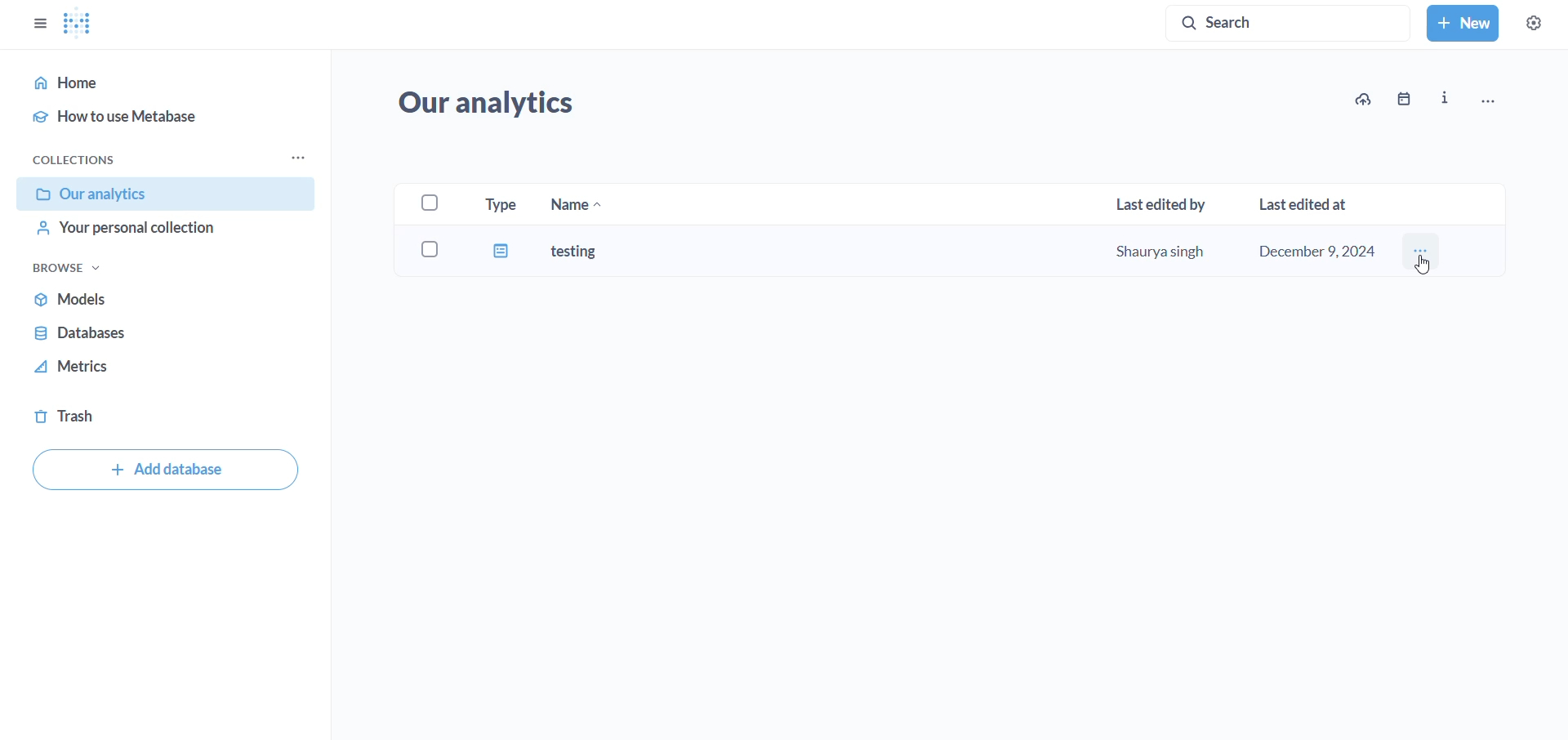 The image size is (1568, 740). I want to click on upload, so click(1361, 99).